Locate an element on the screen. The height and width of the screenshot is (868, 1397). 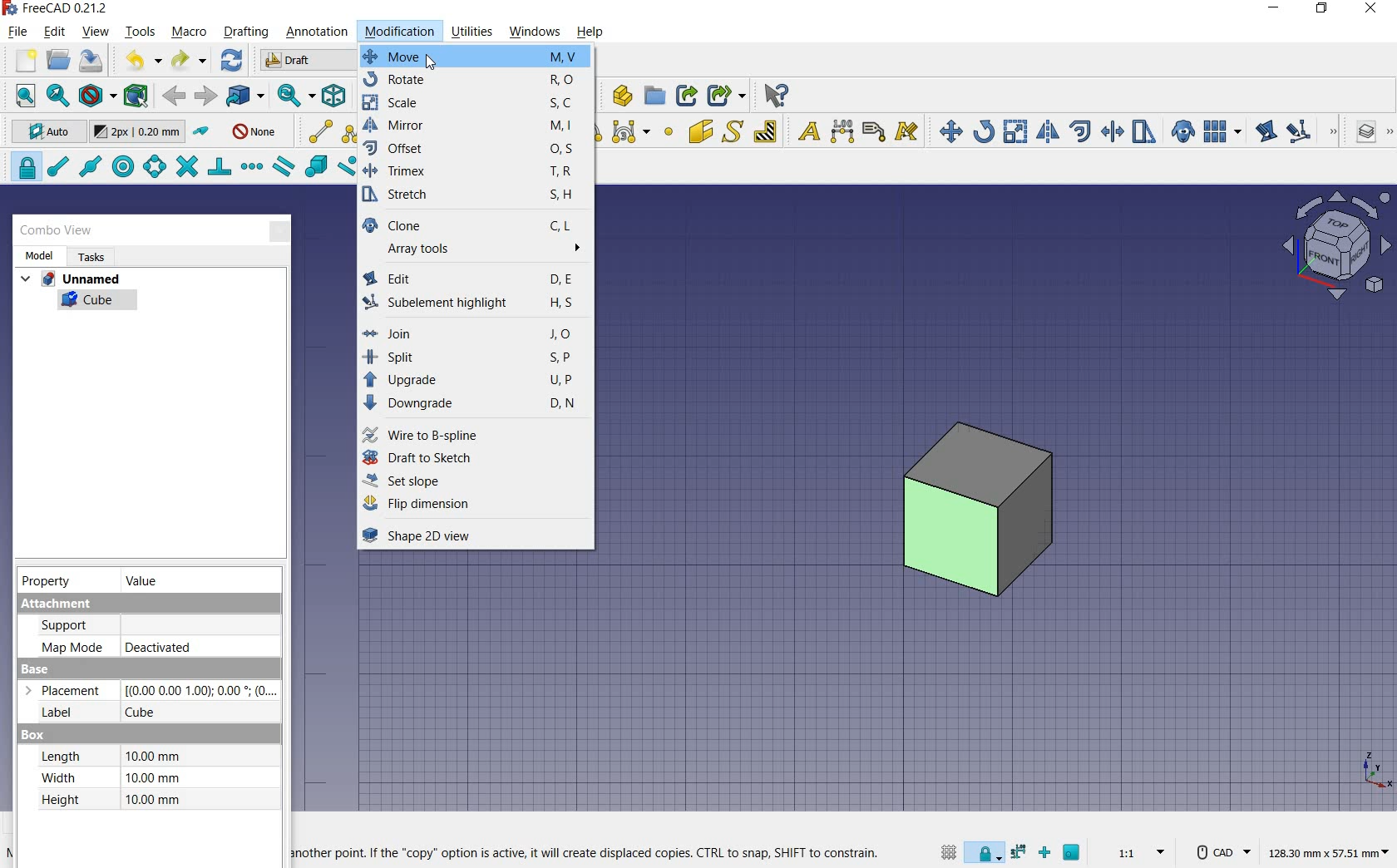
snap working plane is located at coordinates (1073, 853).